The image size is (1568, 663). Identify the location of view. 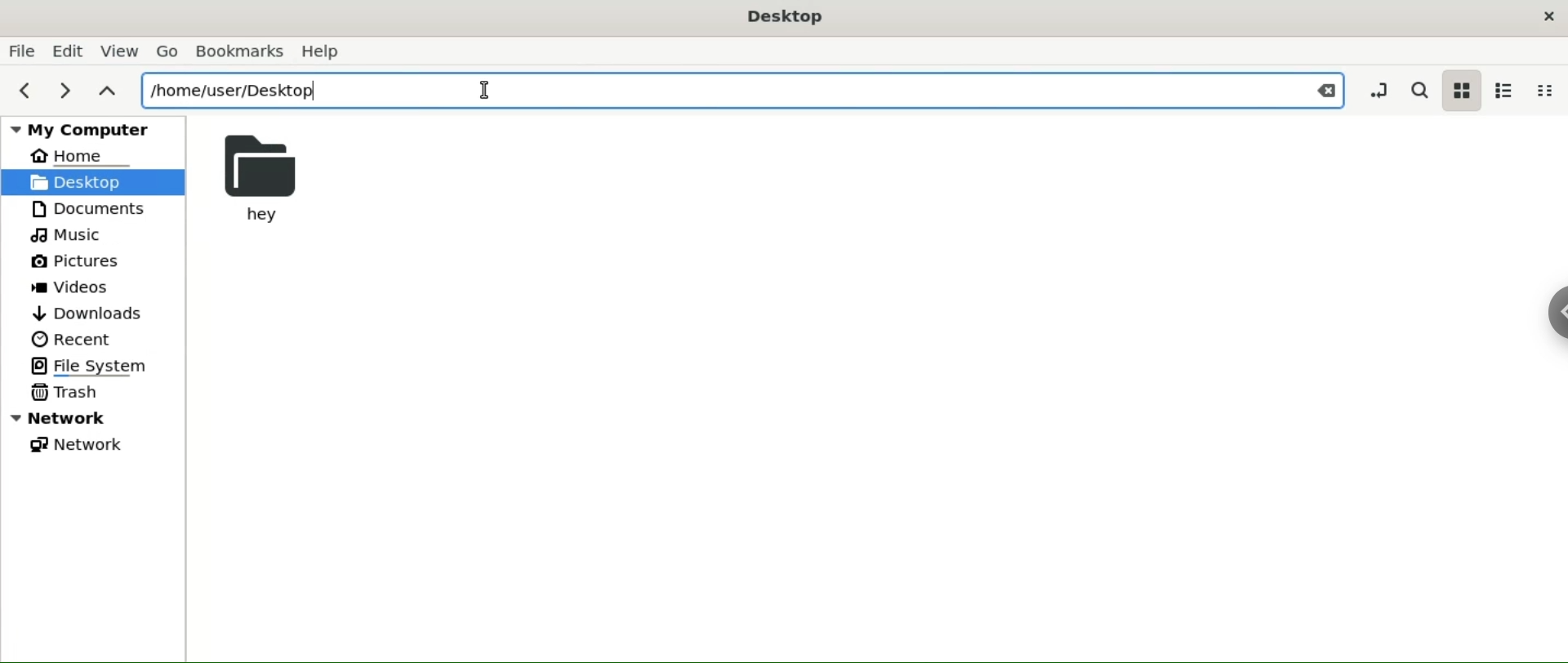
(120, 51).